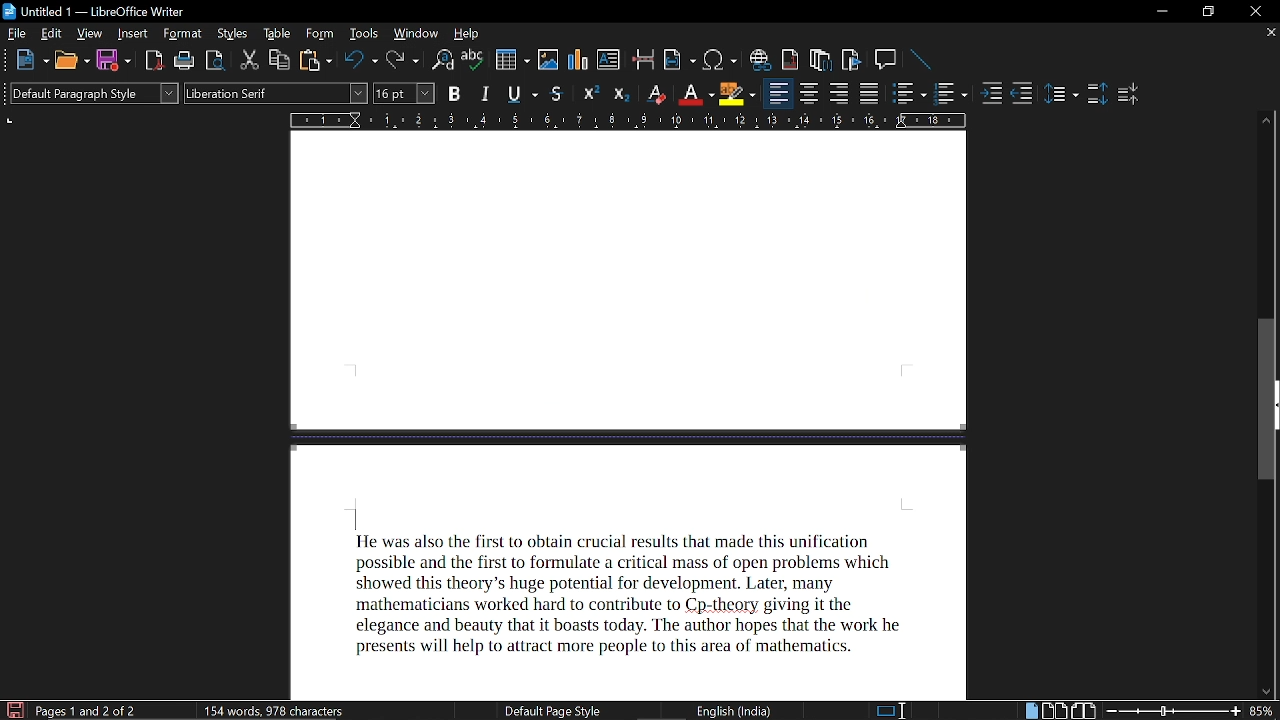  What do you see at coordinates (229, 34) in the screenshot?
I see `Styles` at bounding box center [229, 34].